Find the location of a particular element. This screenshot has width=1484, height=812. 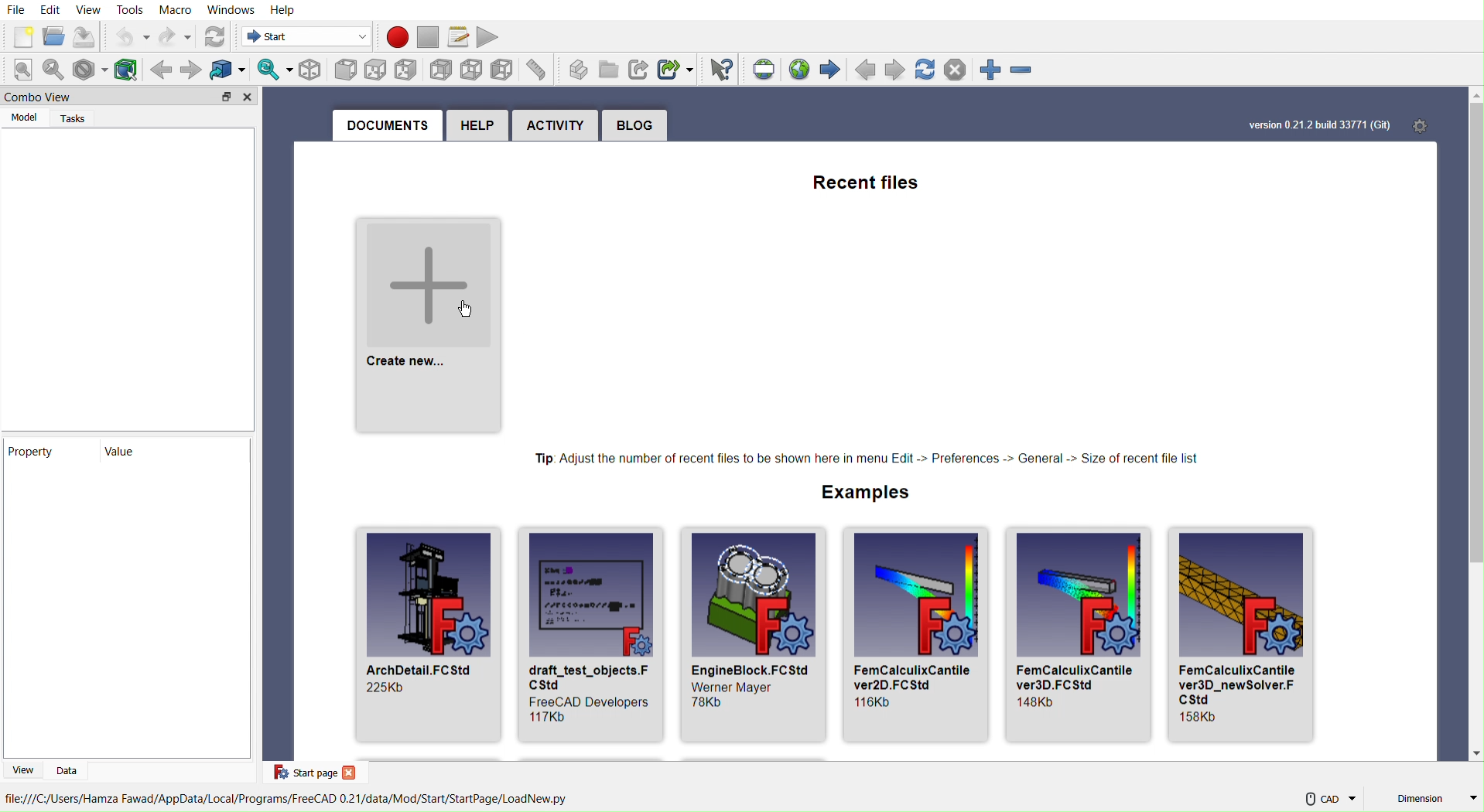

archdetail.FC Std 225kb is located at coordinates (423, 633).